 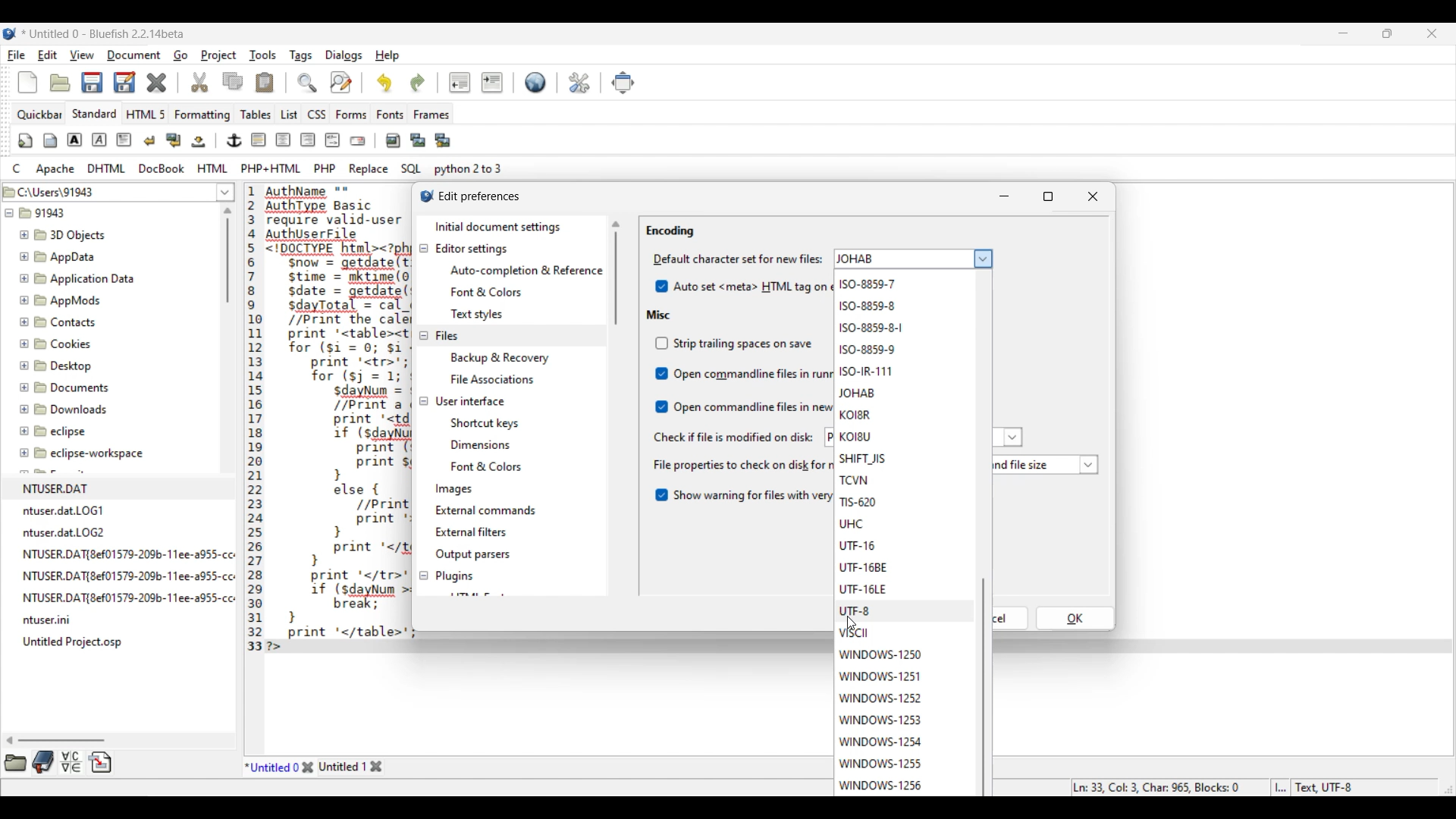 I want to click on Project name, software name and version, so click(x=105, y=33).